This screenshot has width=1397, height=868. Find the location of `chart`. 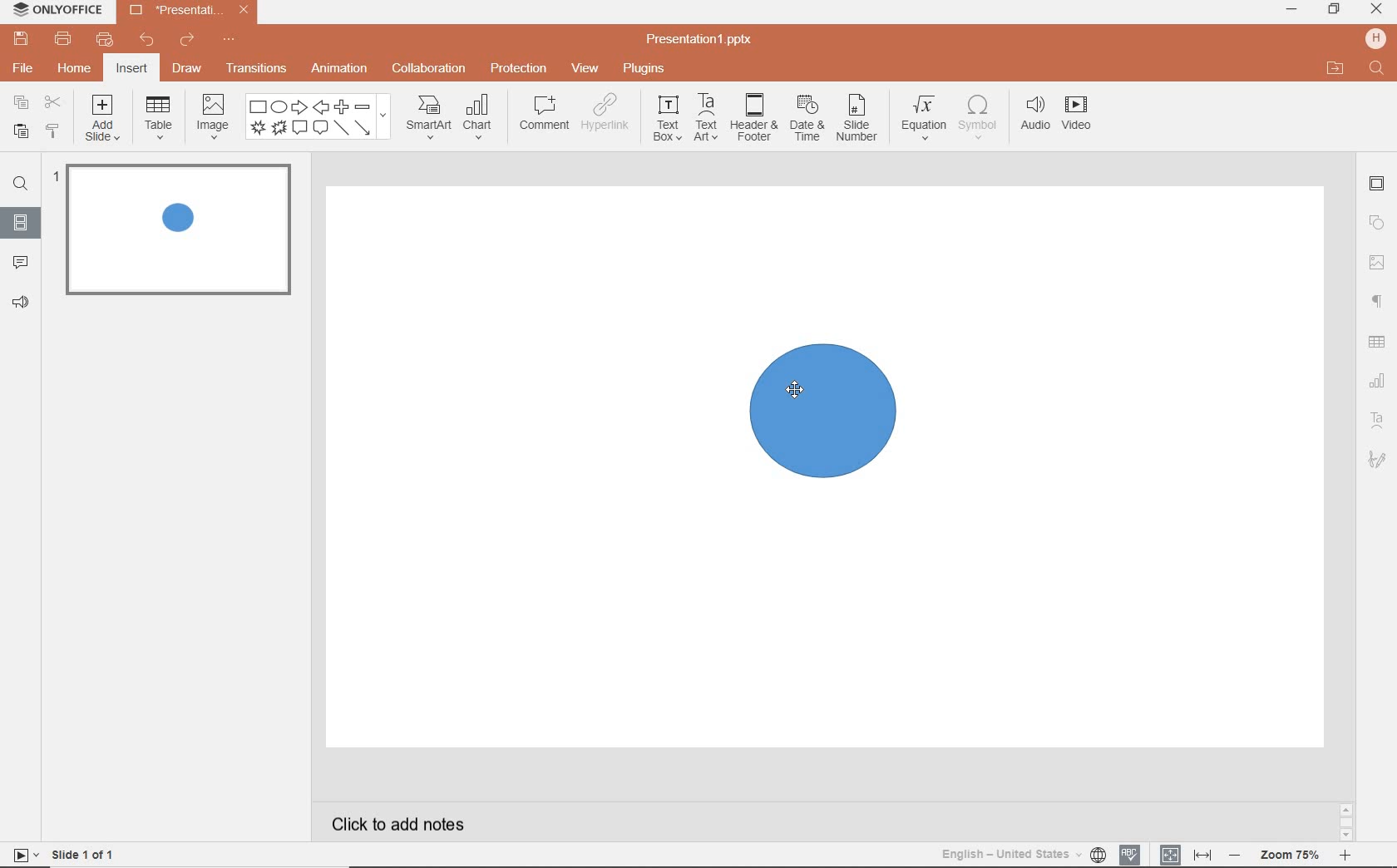

chart is located at coordinates (479, 118).